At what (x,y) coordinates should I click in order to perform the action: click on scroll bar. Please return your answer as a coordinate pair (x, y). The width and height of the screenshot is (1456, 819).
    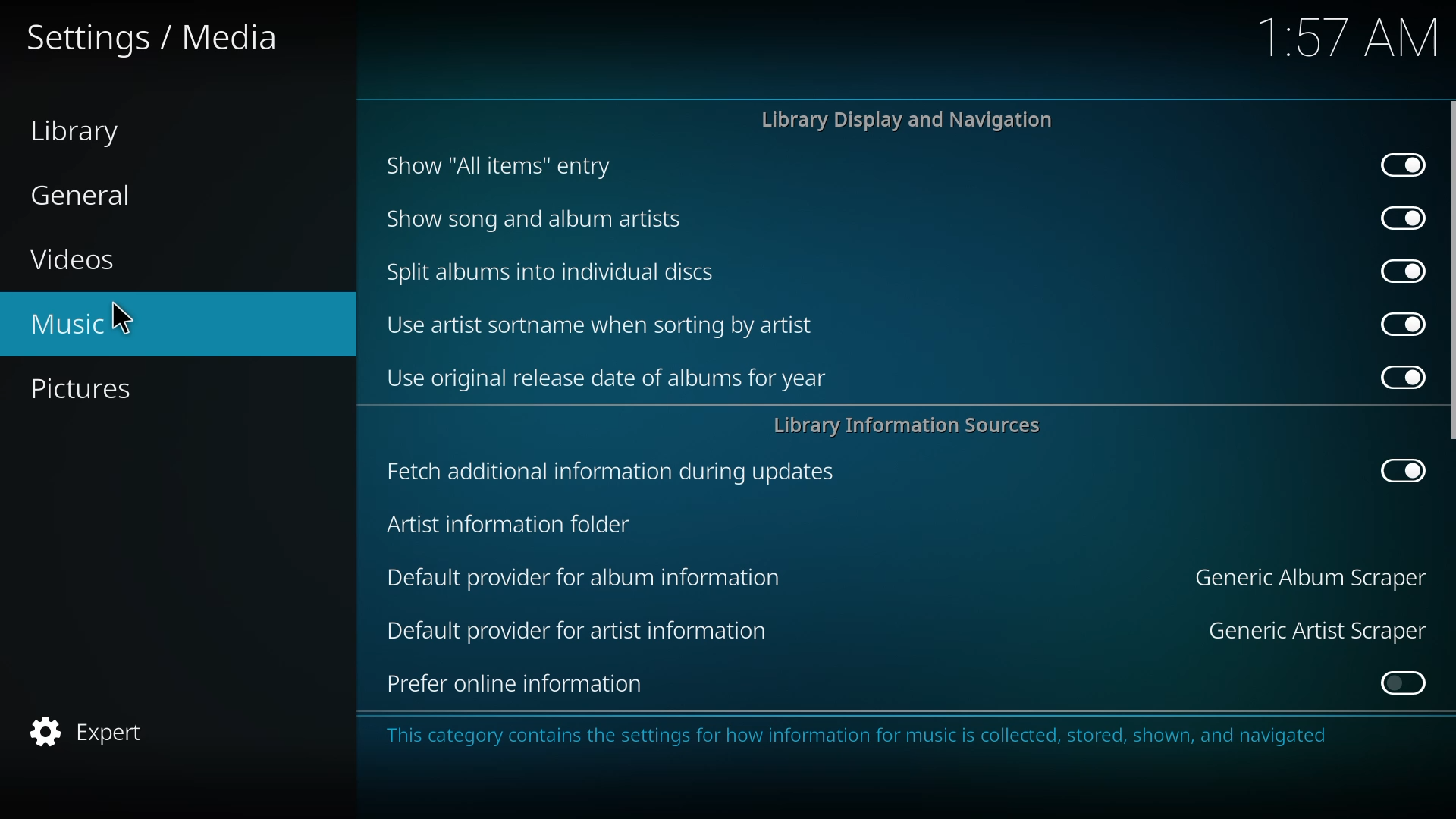
    Looking at the image, I should click on (1454, 275).